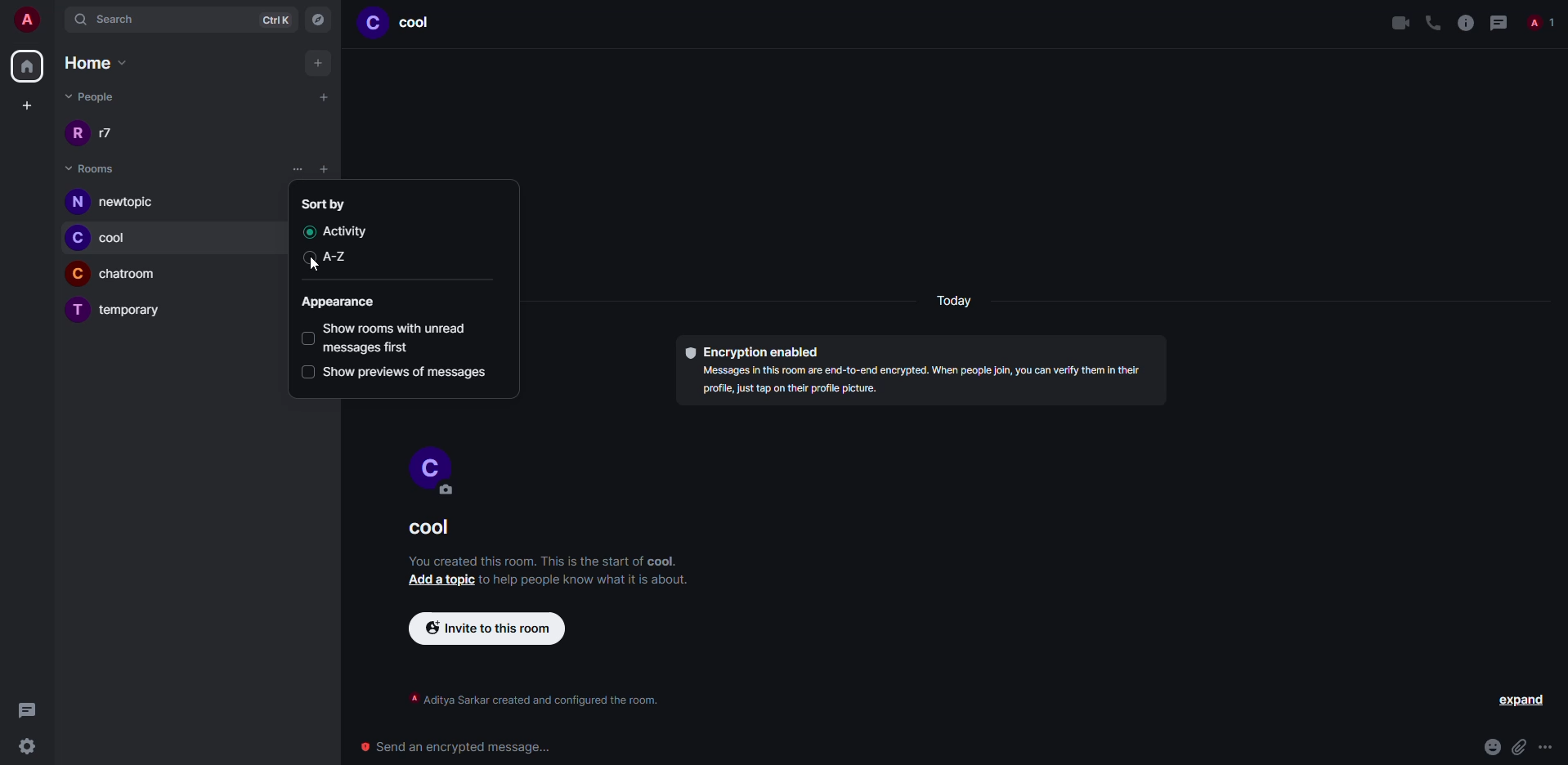 This screenshot has height=765, width=1568. Describe the element at coordinates (72, 238) in the screenshot. I see `profile` at that location.